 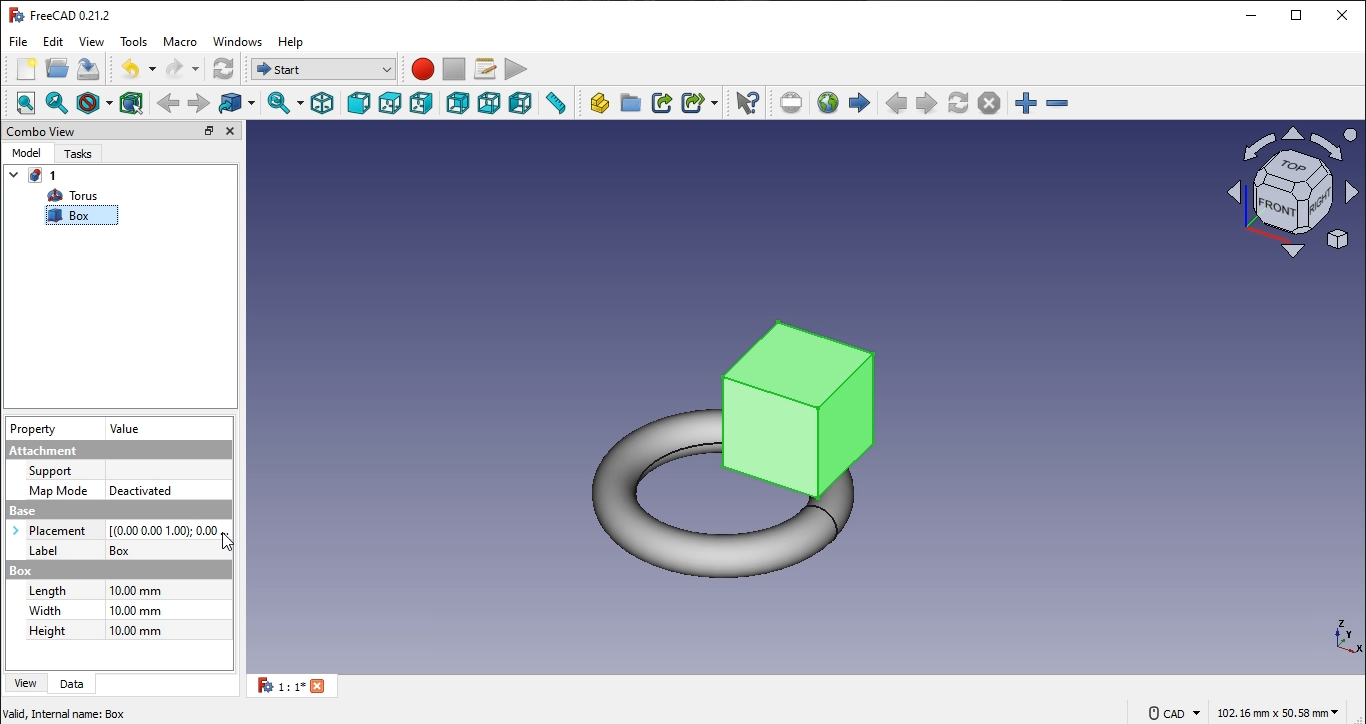 What do you see at coordinates (515, 70) in the screenshot?
I see `execute macro recording` at bounding box center [515, 70].